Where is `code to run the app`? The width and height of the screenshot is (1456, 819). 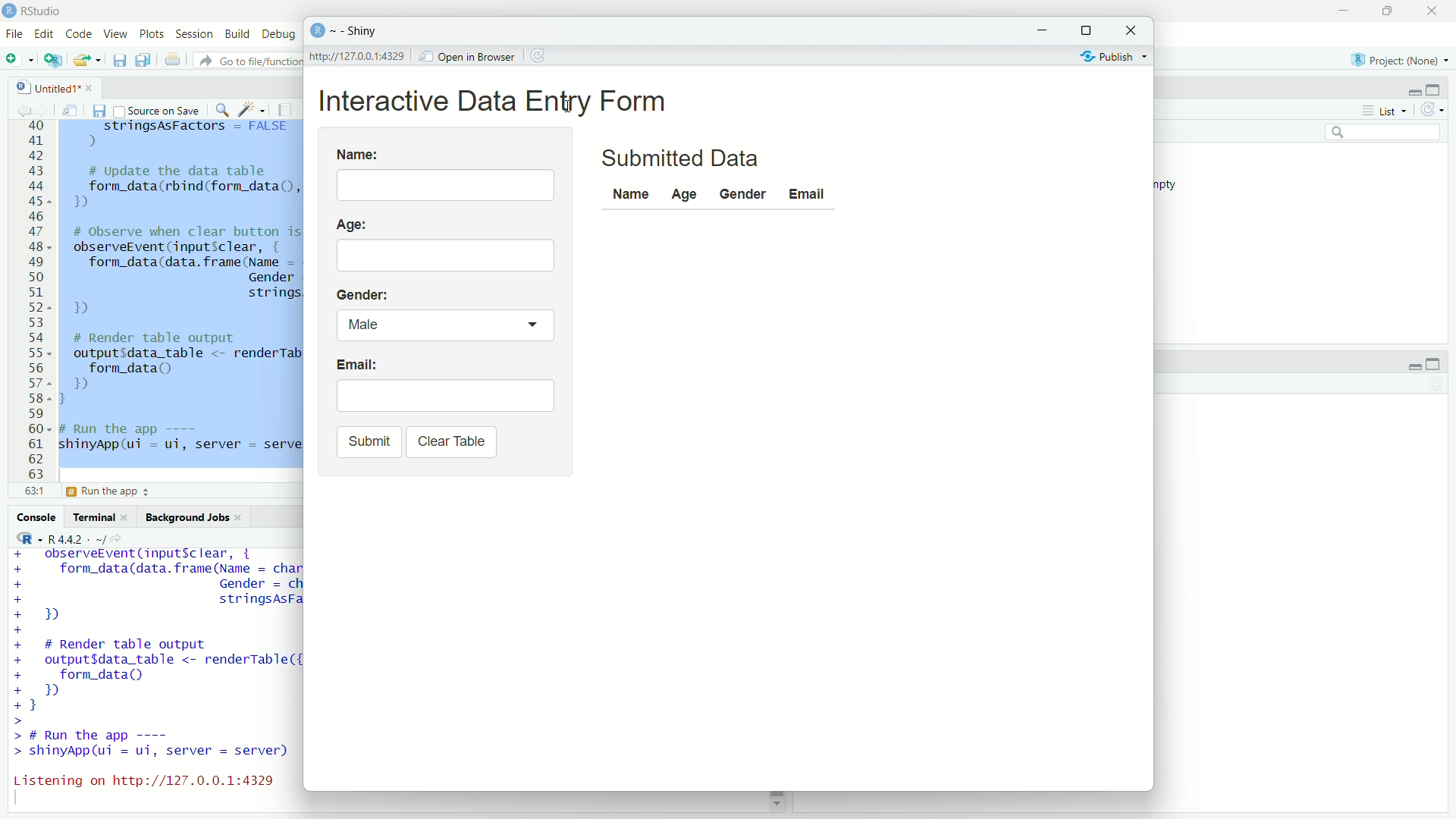
code to run the app is located at coordinates (180, 438).